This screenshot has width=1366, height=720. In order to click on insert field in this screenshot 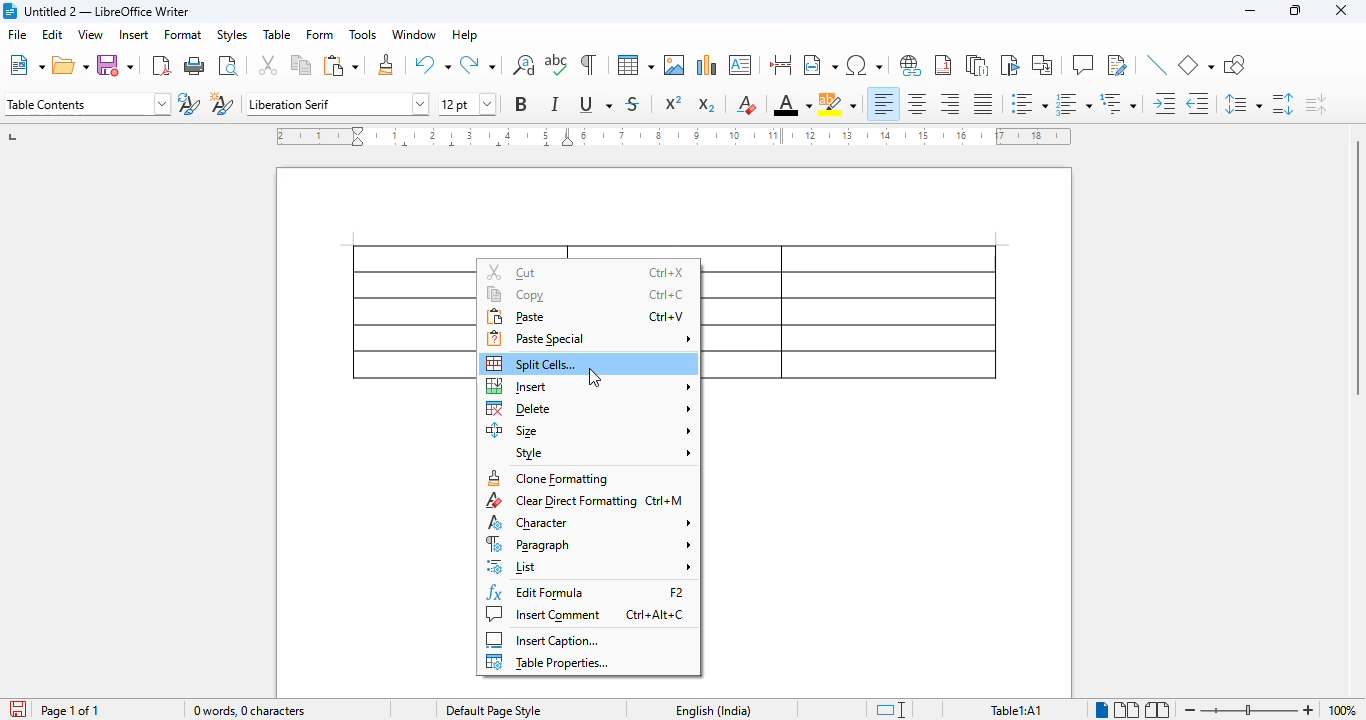, I will do `click(820, 64)`.